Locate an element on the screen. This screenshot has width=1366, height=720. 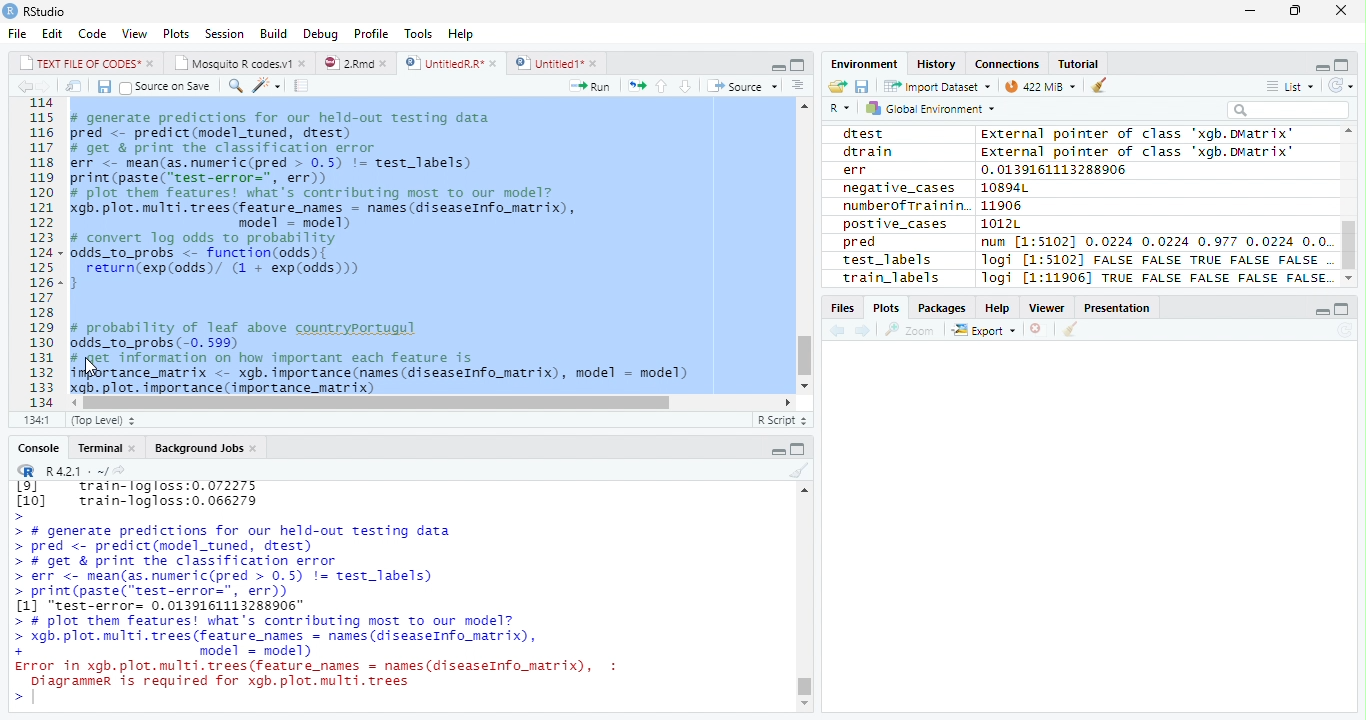
Import dataset is located at coordinates (936, 85).